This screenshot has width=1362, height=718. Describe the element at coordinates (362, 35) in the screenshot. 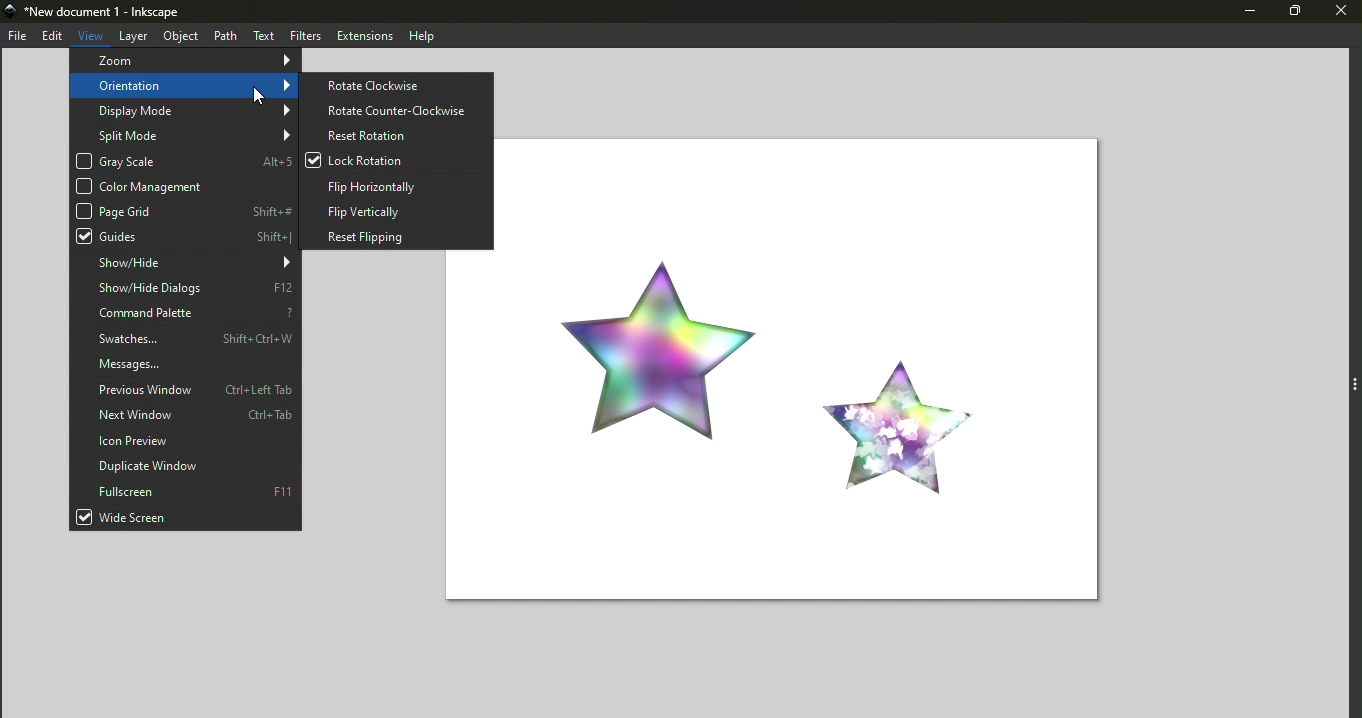

I see `Extensions` at that location.